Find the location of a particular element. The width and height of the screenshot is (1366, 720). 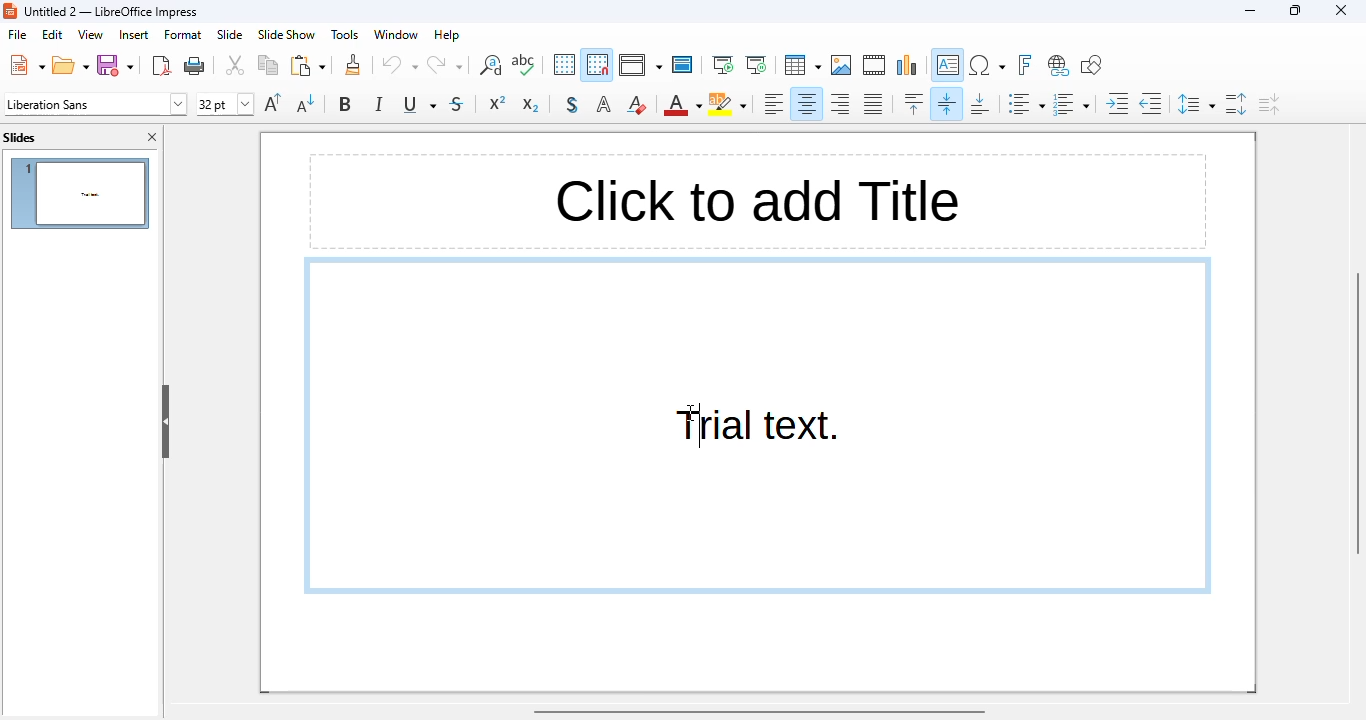

file is located at coordinates (17, 34).